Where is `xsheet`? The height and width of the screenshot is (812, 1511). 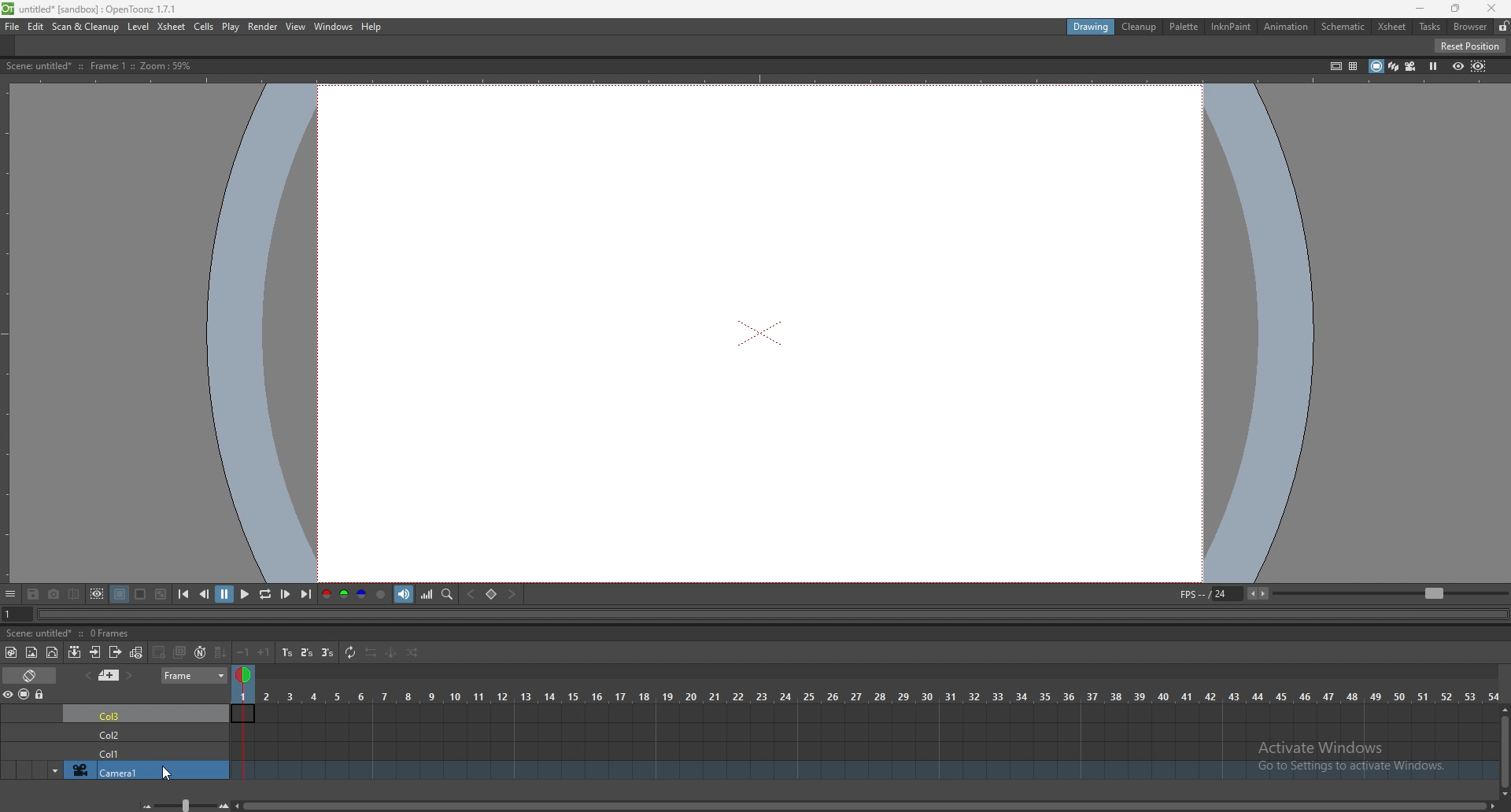
xsheet is located at coordinates (1392, 27).